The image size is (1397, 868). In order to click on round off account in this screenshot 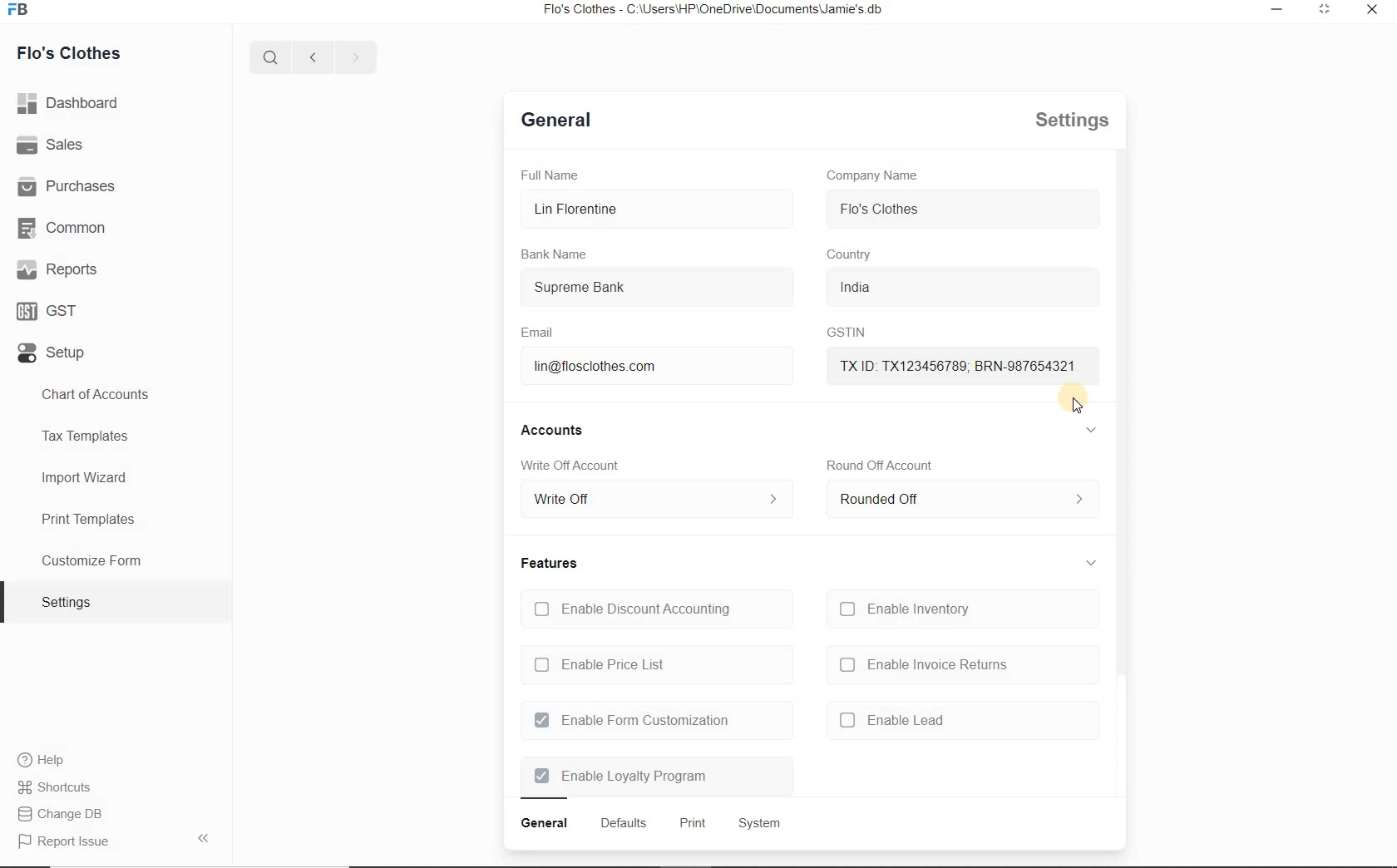, I will do `click(880, 465)`.